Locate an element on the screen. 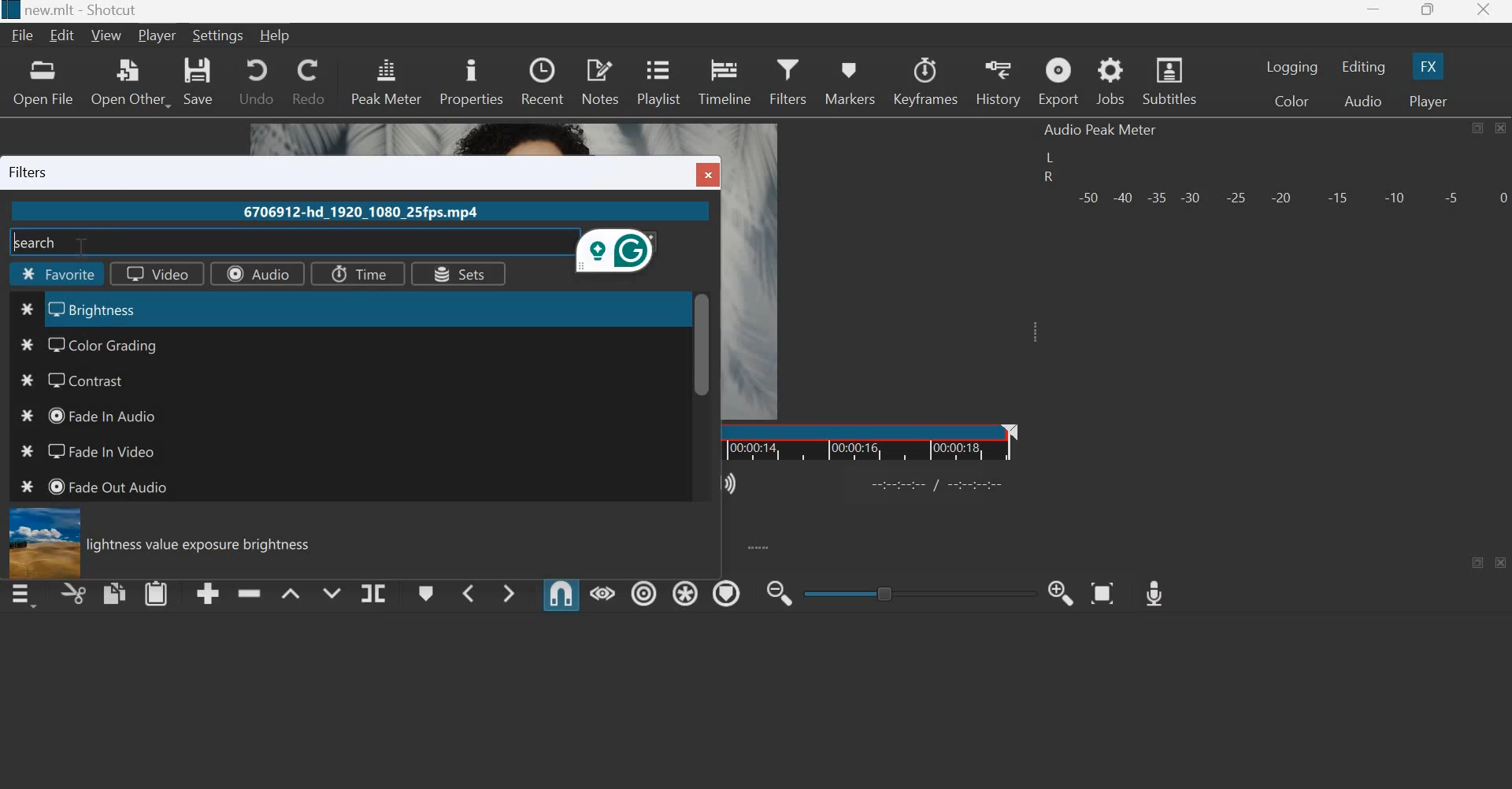  Ripple Markers is located at coordinates (726, 593).